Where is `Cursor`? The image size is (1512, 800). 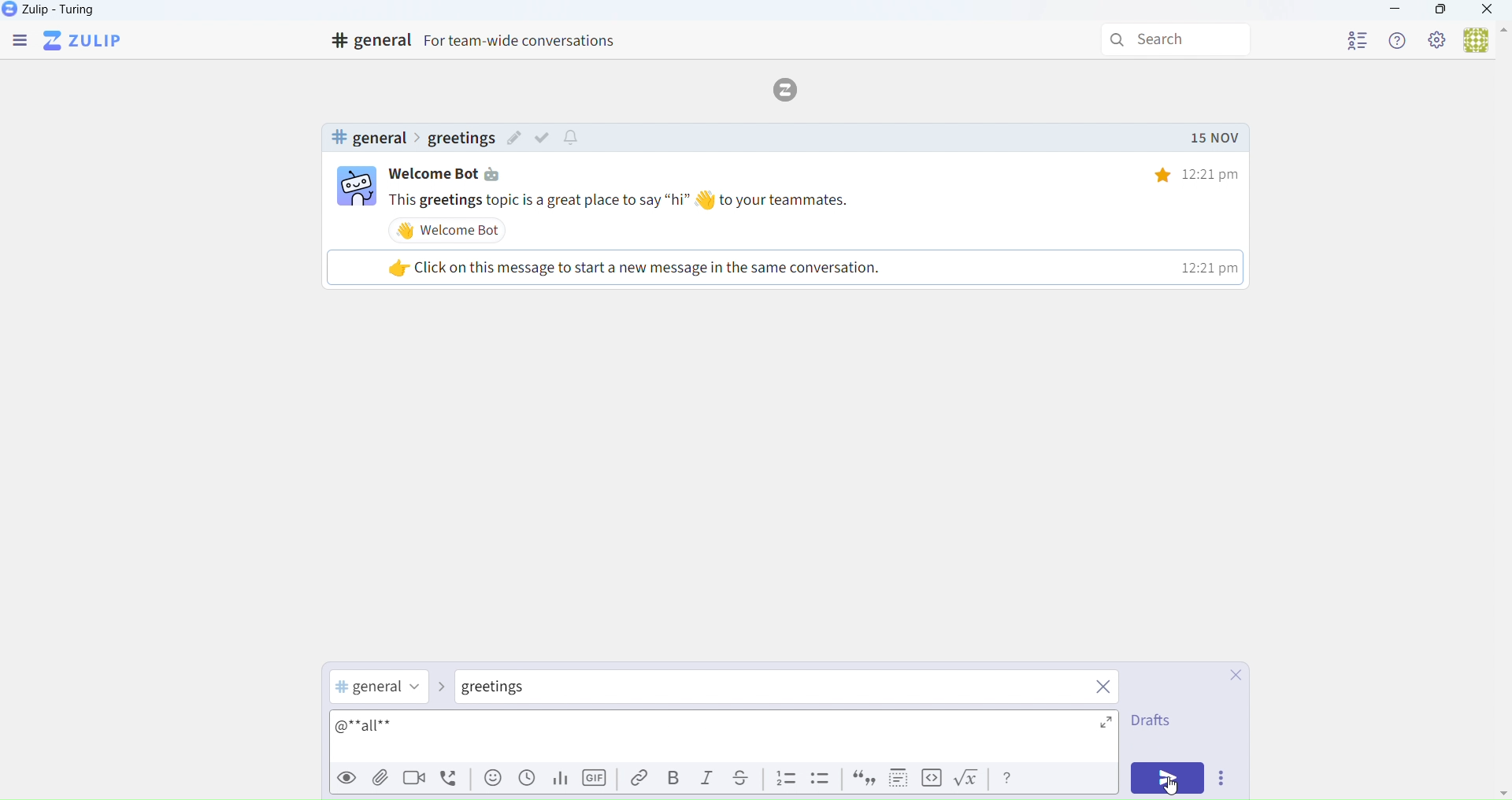
Cursor is located at coordinates (1170, 783).